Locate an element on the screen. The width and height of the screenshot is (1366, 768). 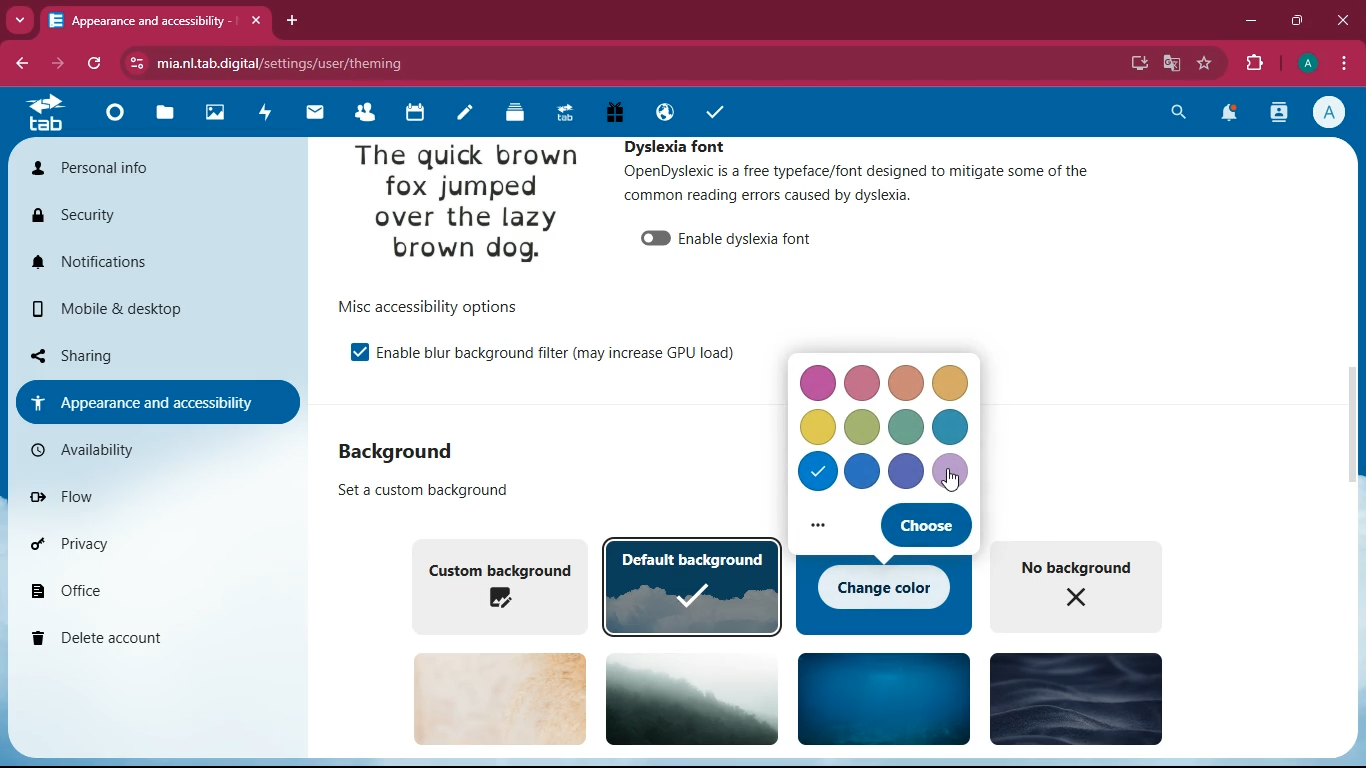
OpenDyslexic is a free typeface/font designed to mitigate some of the  common reading errors caused by dyslexia. is located at coordinates (881, 191).